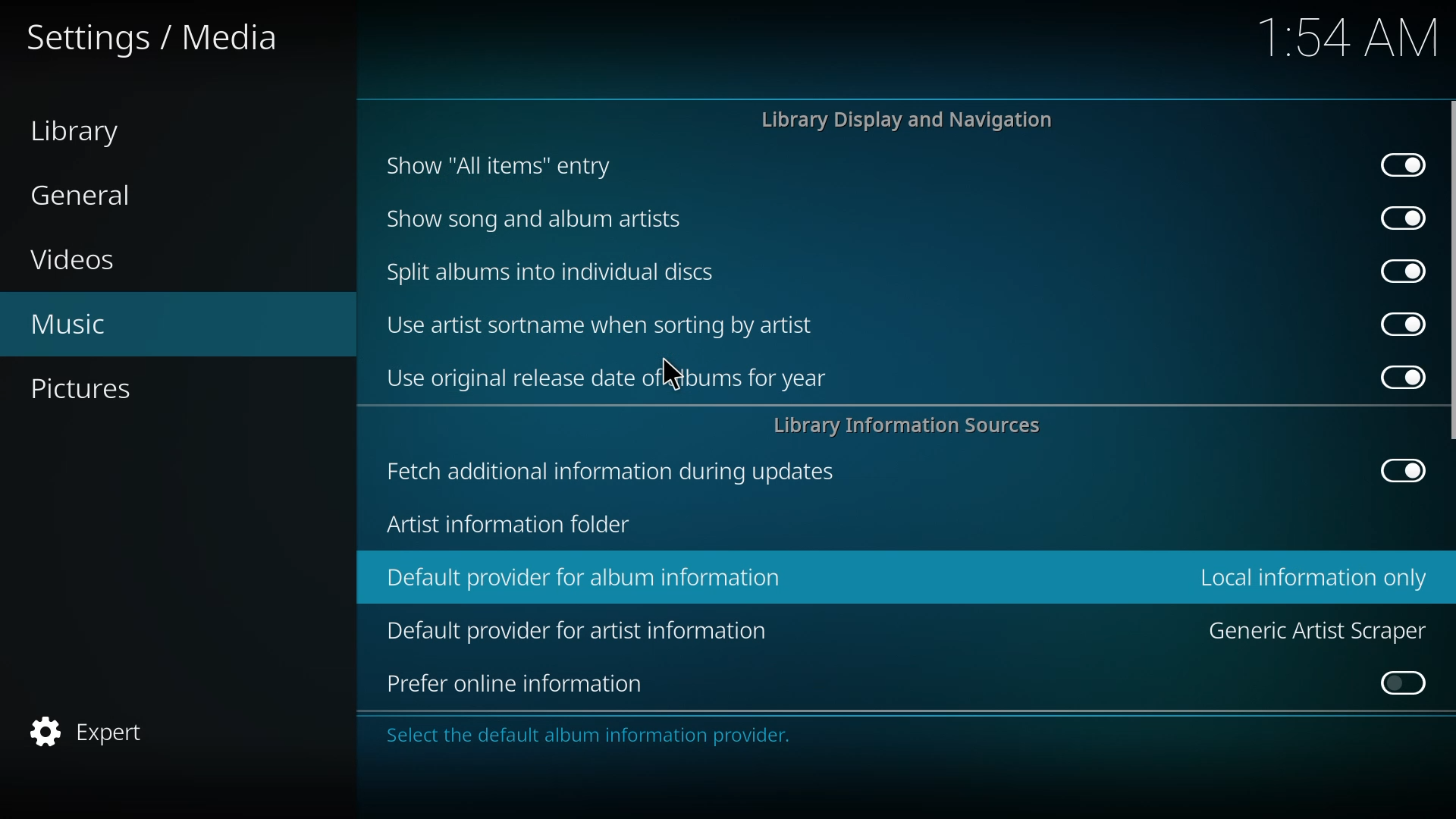 This screenshot has width=1456, height=819. What do you see at coordinates (557, 272) in the screenshot?
I see `split albums into discs` at bounding box center [557, 272].